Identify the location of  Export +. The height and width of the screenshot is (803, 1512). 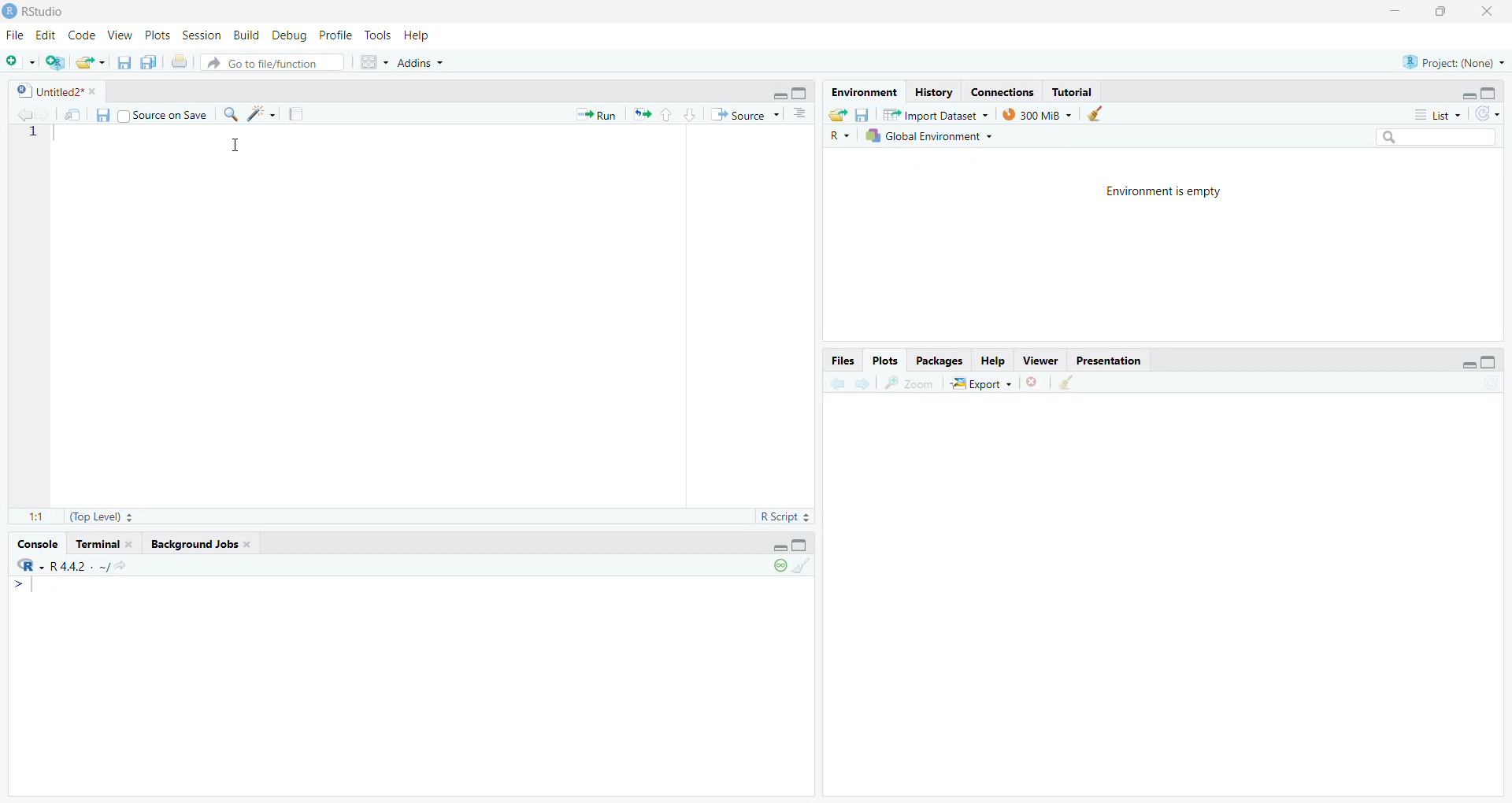
(981, 383).